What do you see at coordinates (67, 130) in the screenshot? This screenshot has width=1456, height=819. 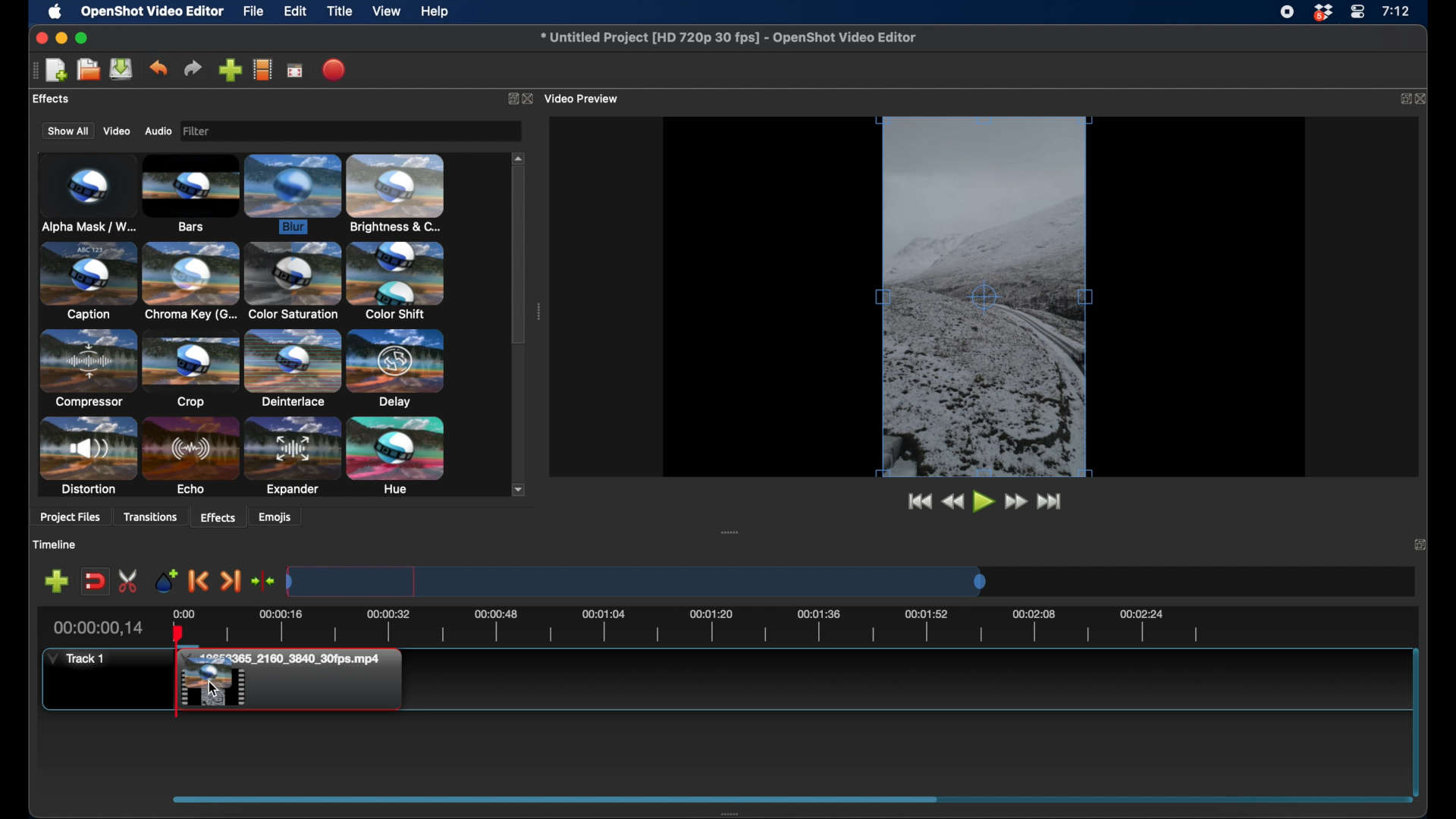 I see `show all` at bounding box center [67, 130].